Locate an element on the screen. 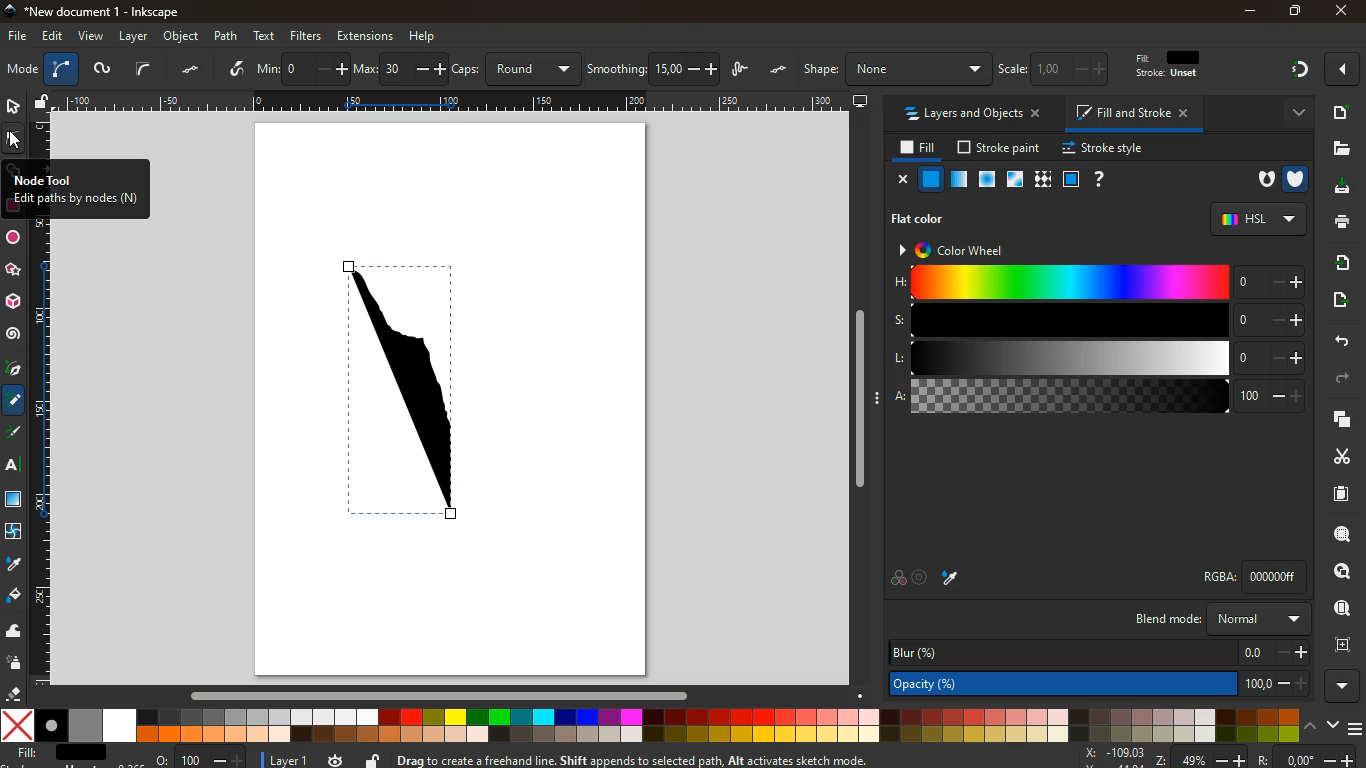 The width and height of the screenshot is (1366, 768). color wheel is located at coordinates (963, 249).